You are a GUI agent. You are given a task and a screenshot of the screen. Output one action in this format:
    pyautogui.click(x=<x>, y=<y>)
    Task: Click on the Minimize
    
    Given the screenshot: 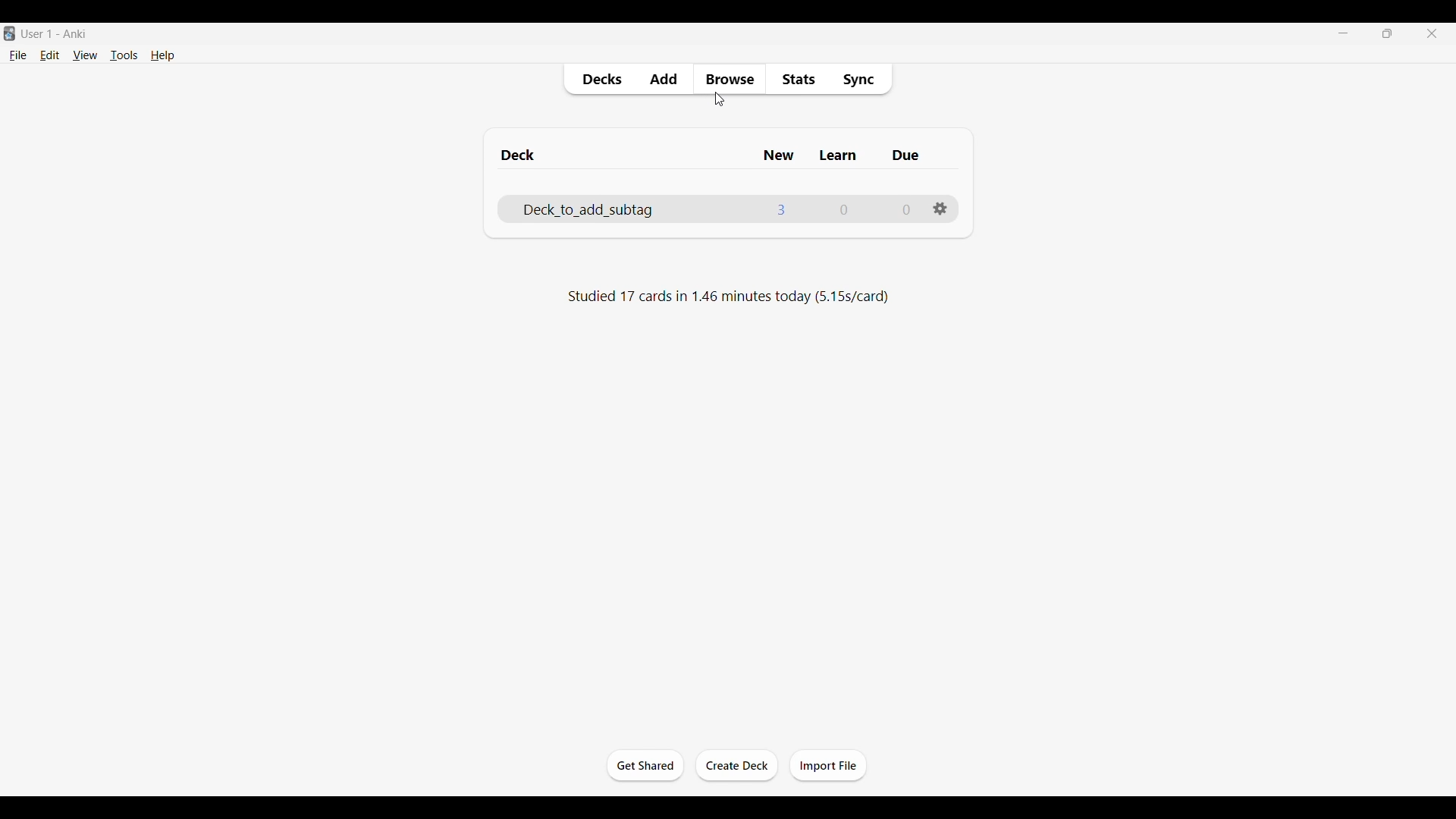 What is the action you would take?
    pyautogui.click(x=1343, y=33)
    